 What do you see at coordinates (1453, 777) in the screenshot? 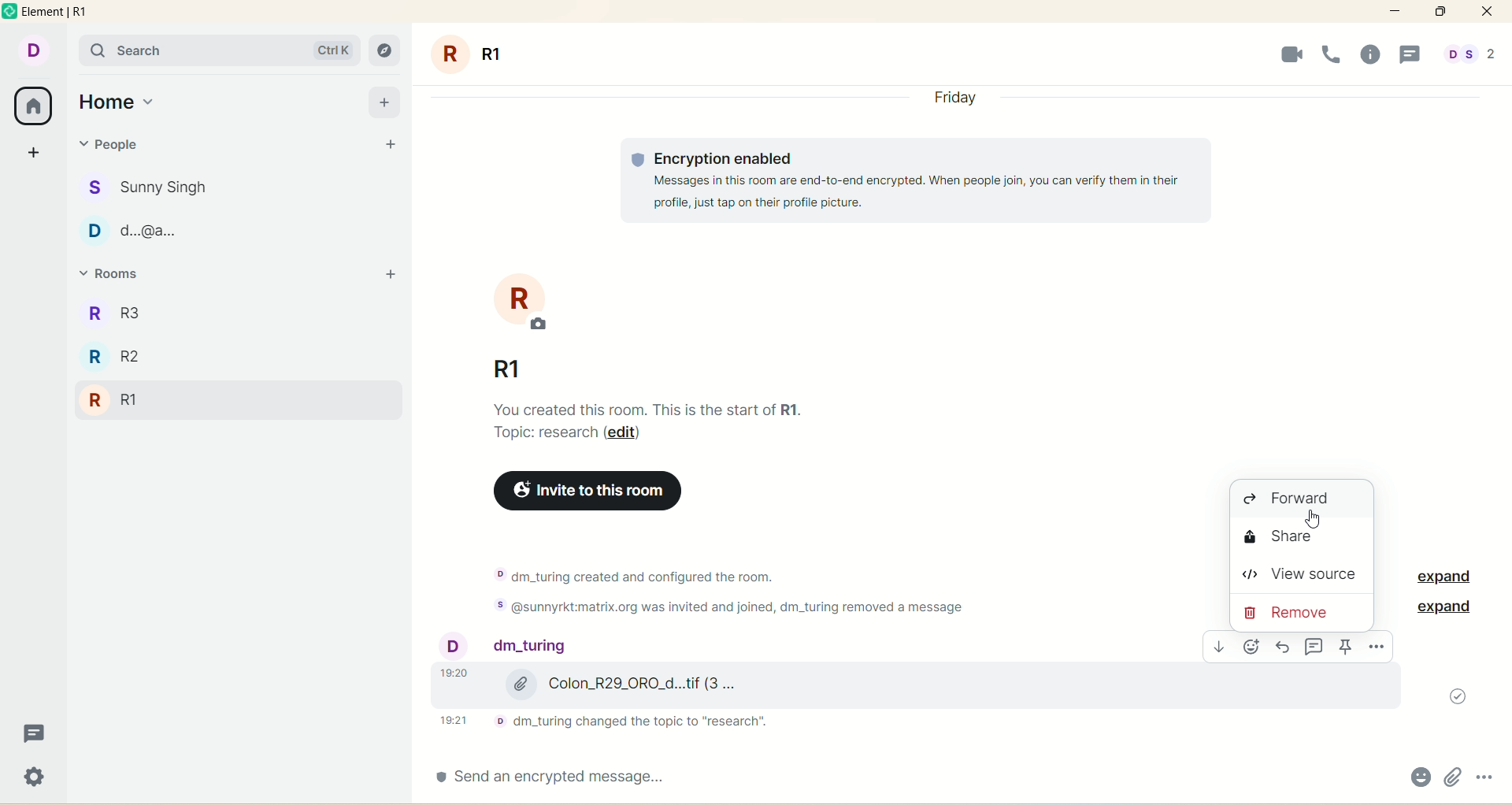
I see `attachments` at bounding box center [1453, 777].